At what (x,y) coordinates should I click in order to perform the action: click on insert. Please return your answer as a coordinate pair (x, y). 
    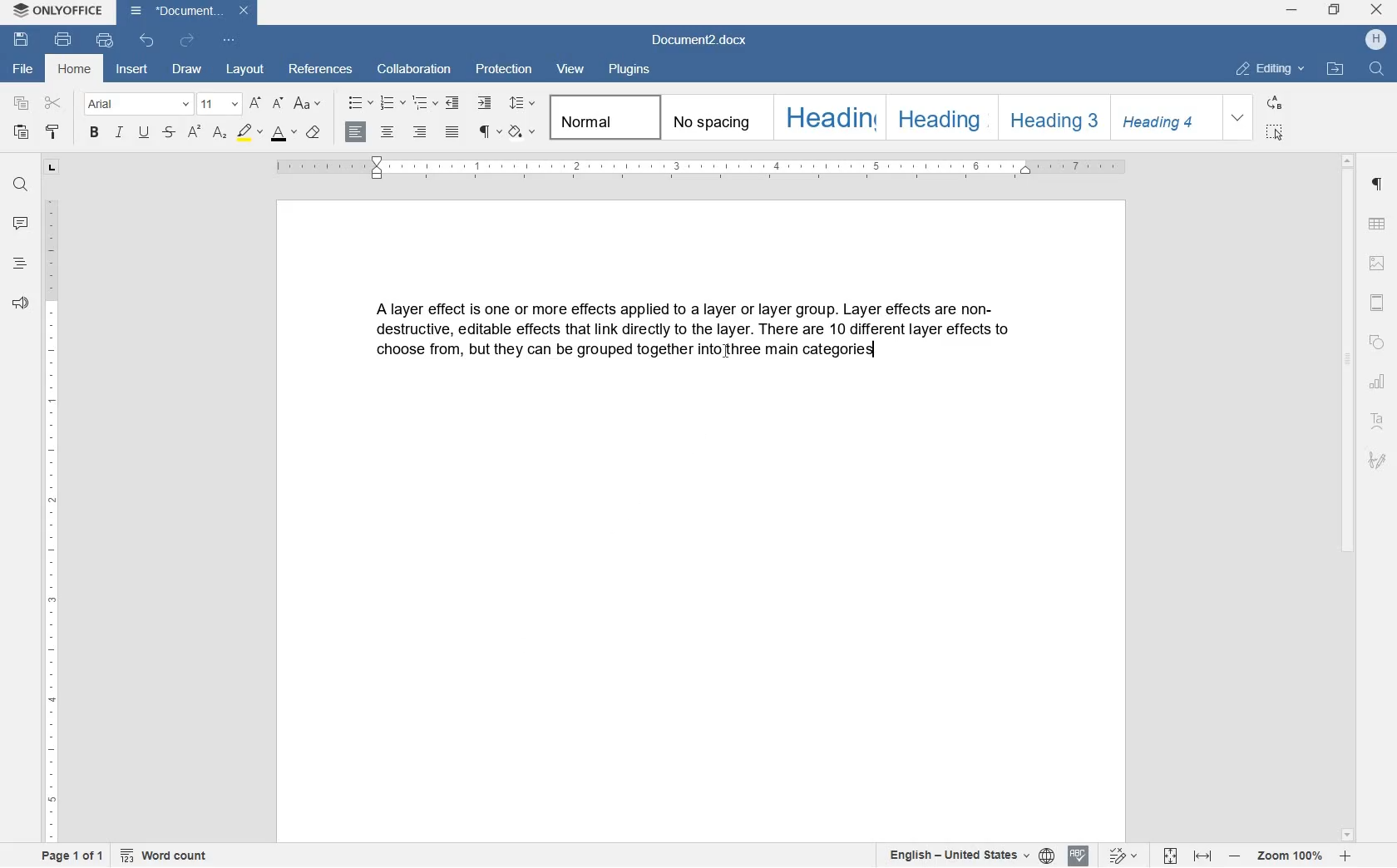
    Looking at the image, I should click on (135, 72).